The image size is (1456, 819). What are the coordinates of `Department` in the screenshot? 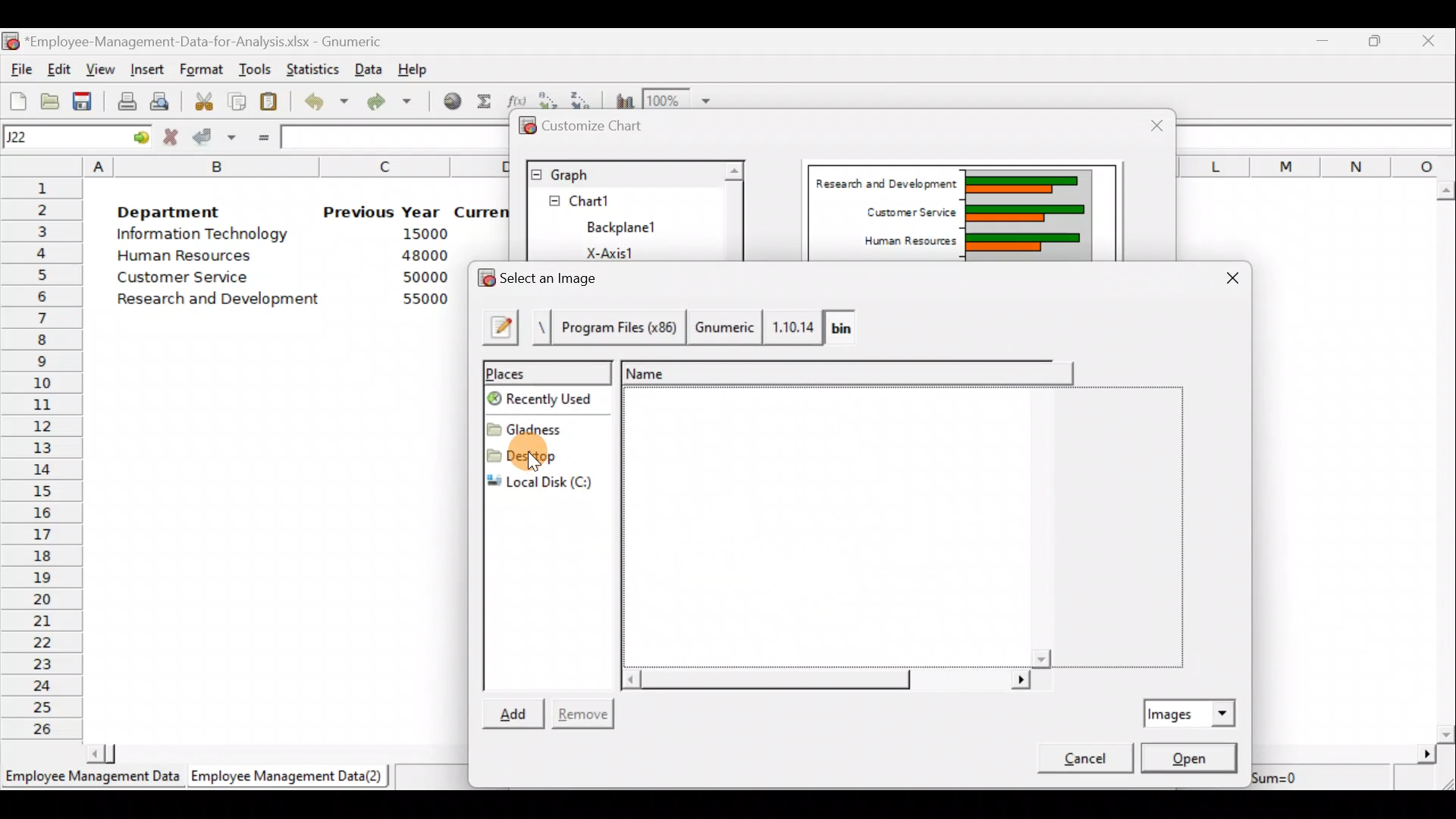 It's located at (180, 212).